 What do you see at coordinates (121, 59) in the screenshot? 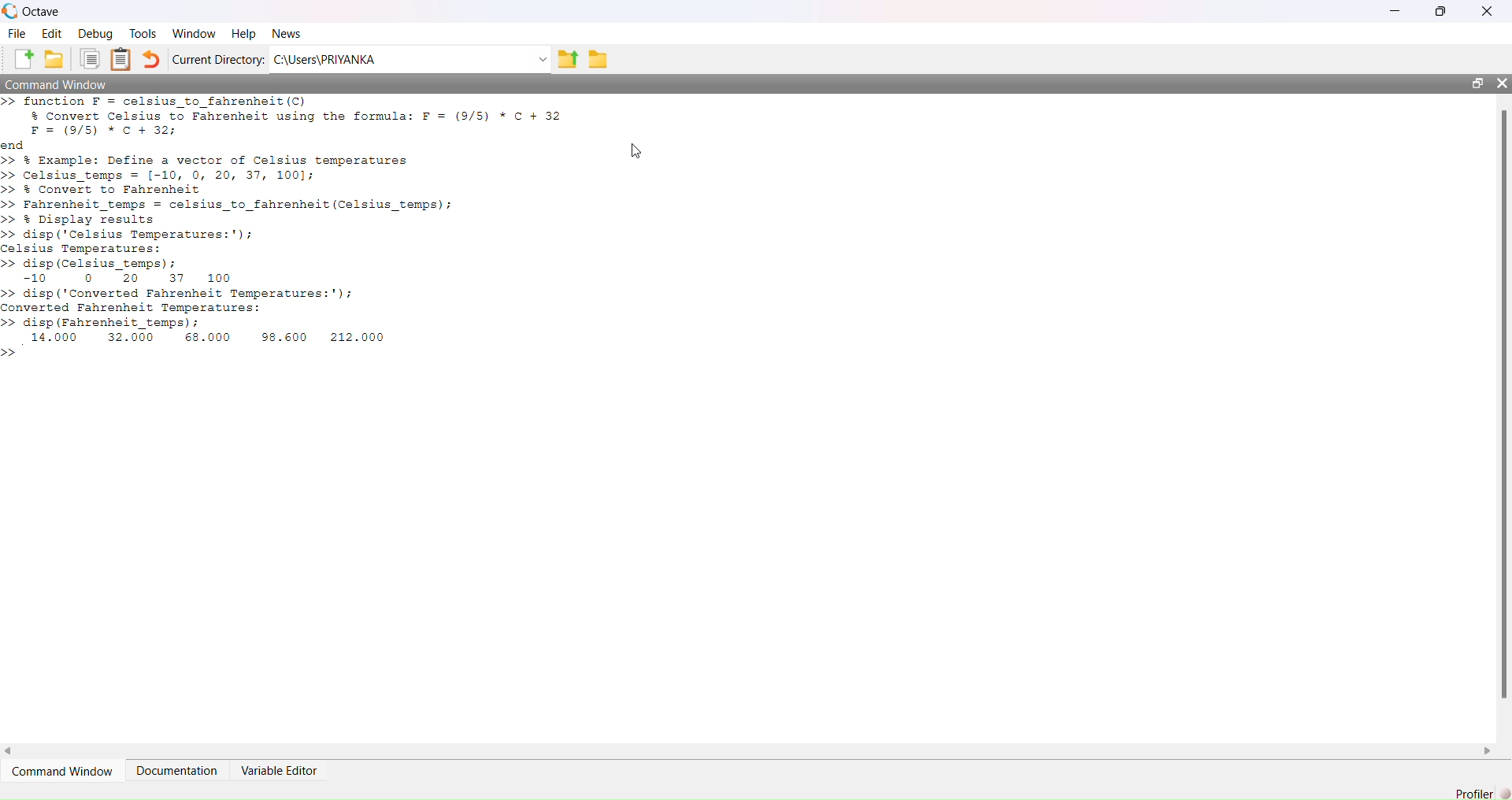
I see `Paste` at bounding box center [121, 59].